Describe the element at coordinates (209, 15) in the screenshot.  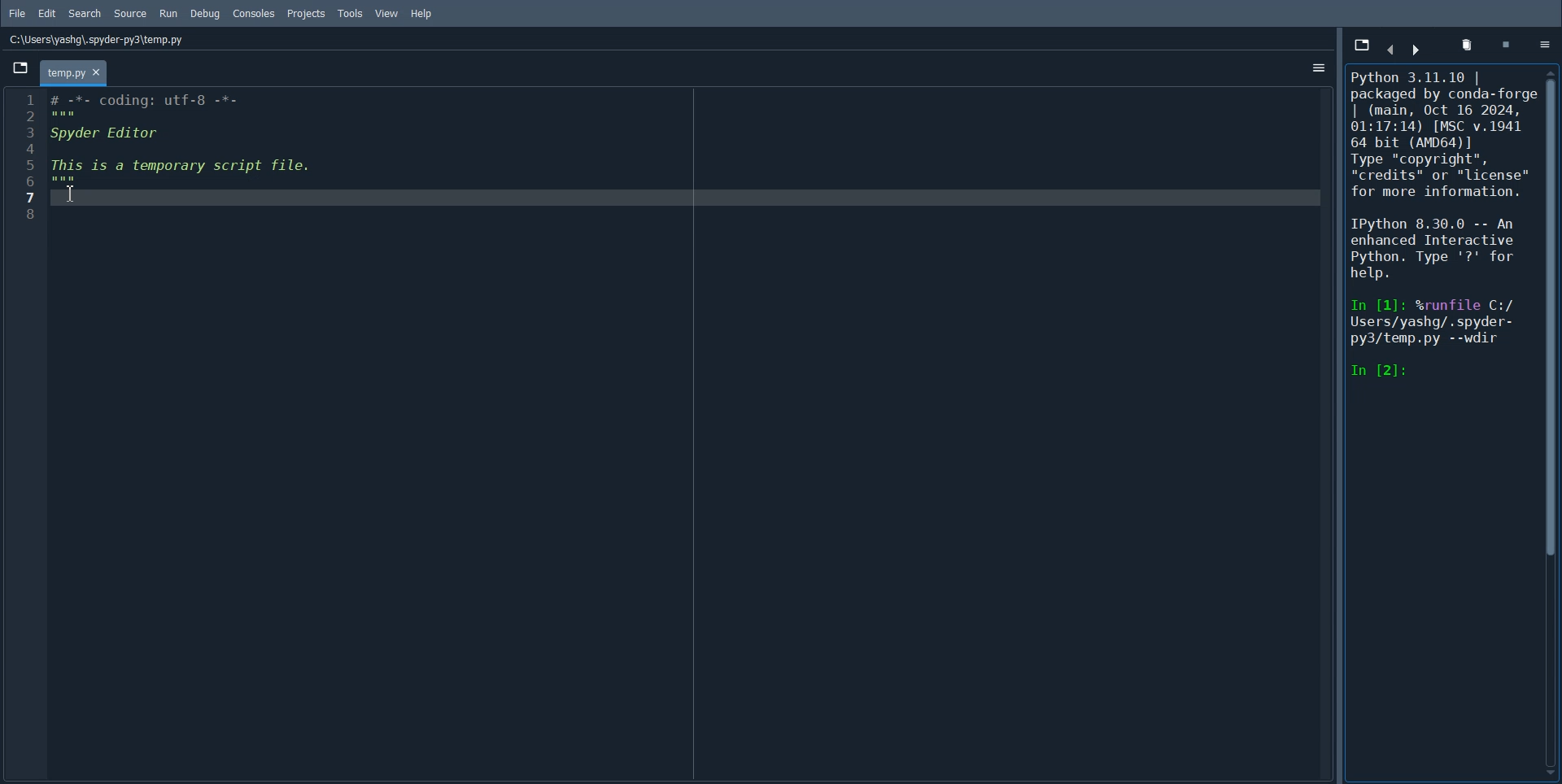
I see `Debug` at that location.